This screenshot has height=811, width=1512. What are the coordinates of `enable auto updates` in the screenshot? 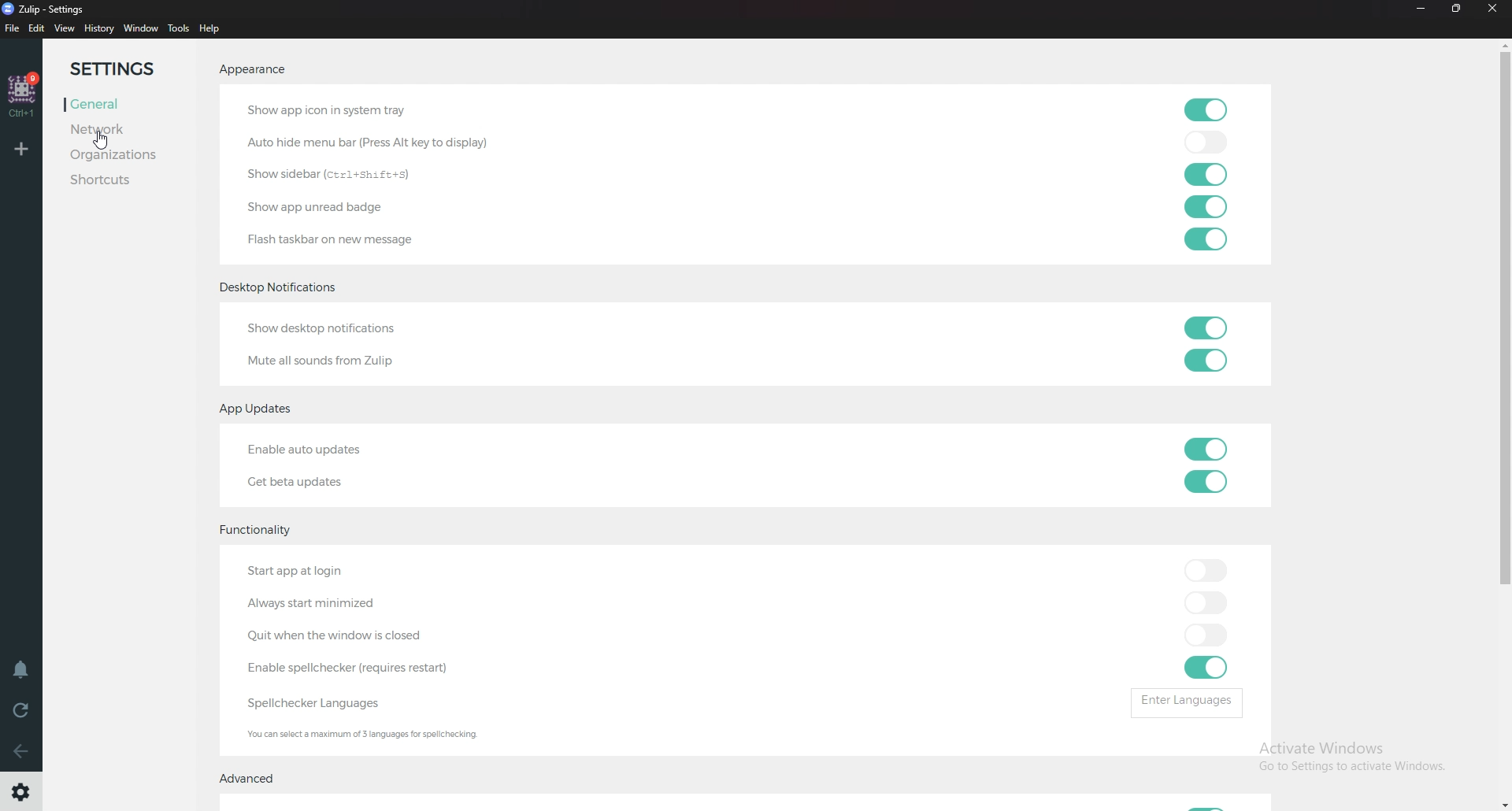 It's located at (347, 450).